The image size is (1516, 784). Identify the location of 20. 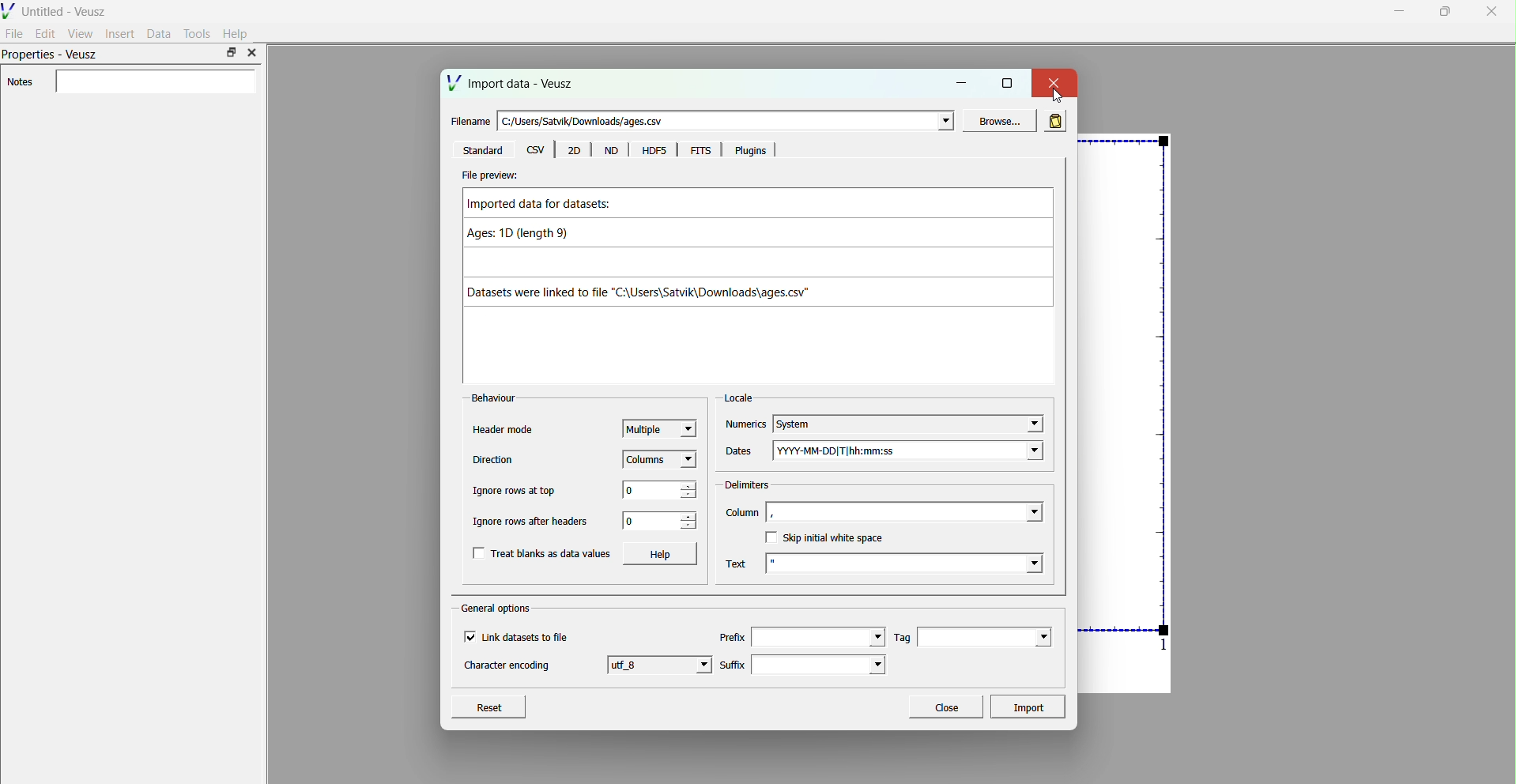
(575, 151).